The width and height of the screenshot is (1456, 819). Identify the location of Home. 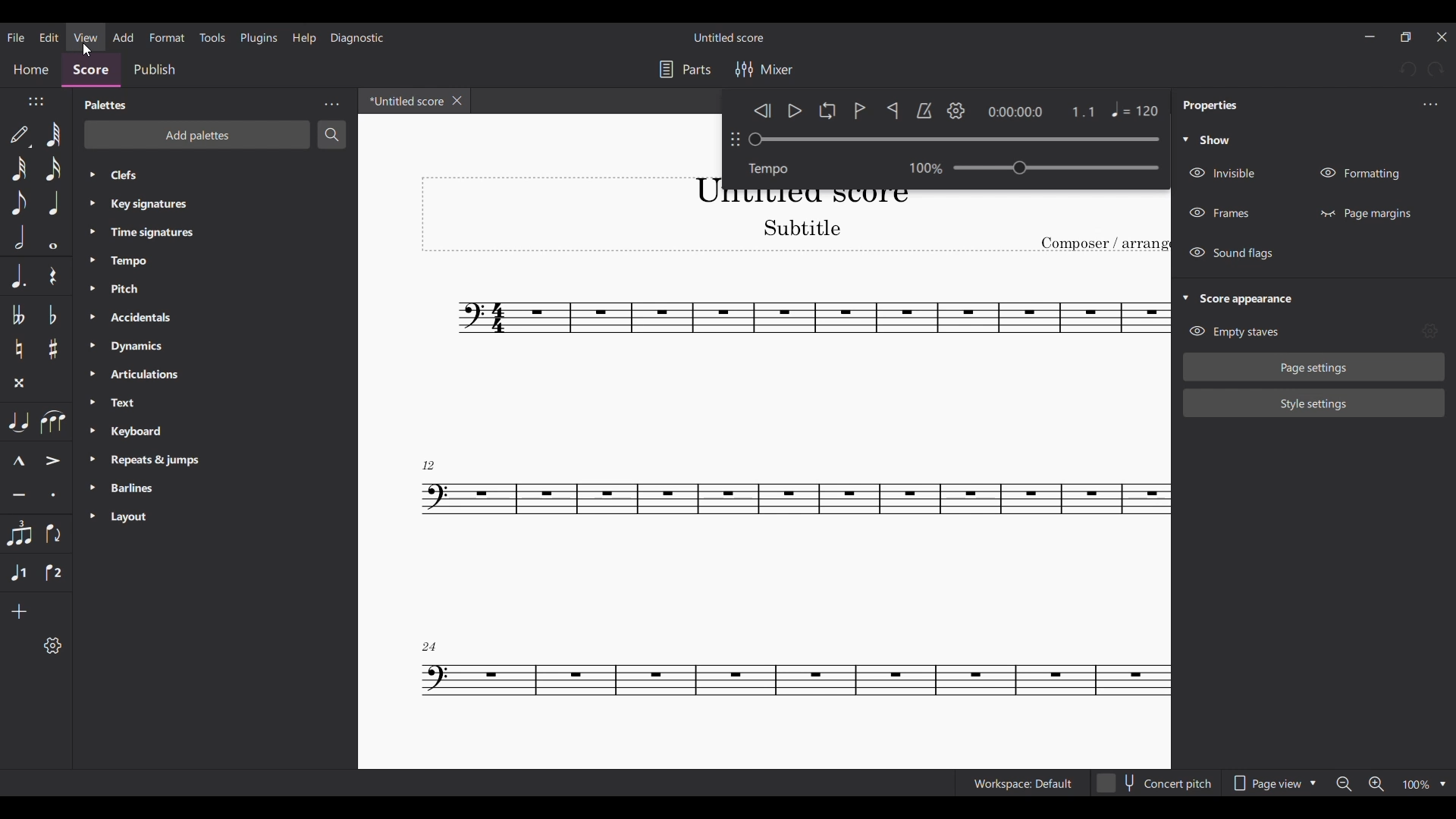
(31, 72).